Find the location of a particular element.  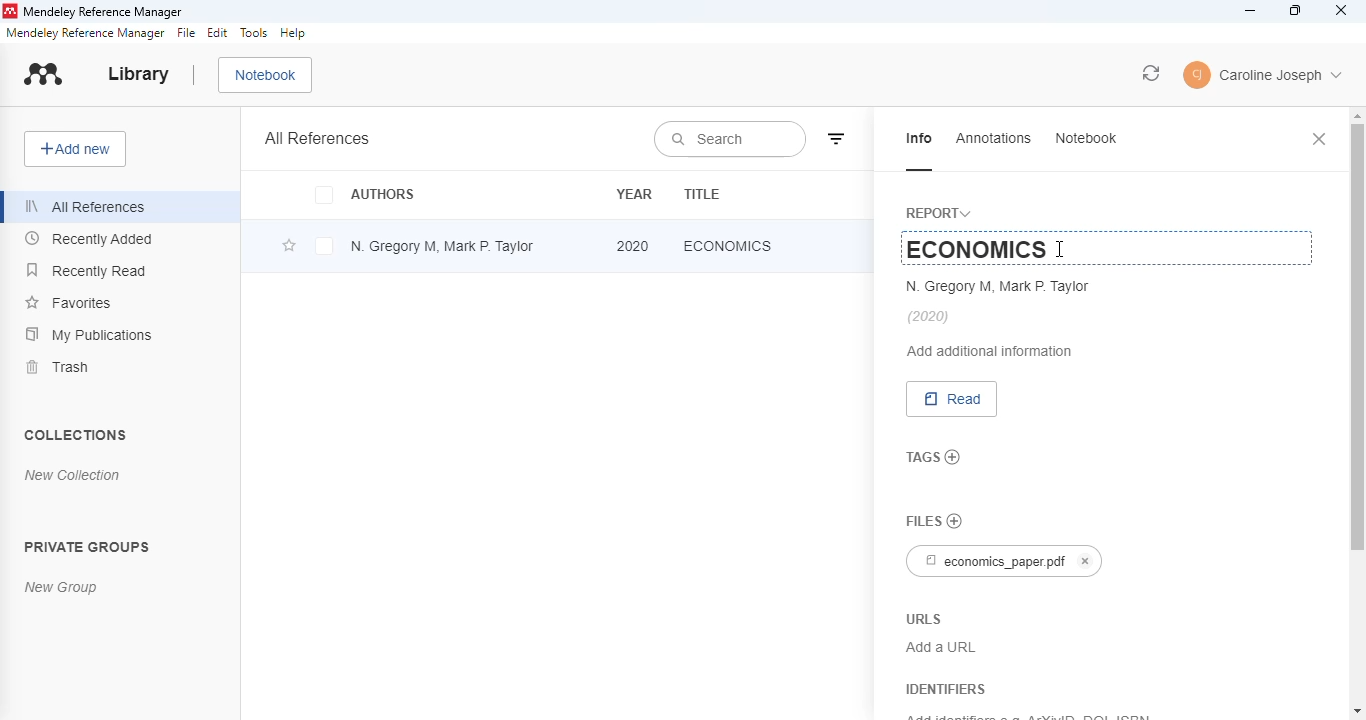

mendeley reference manager is located at coordinates (103, 12).